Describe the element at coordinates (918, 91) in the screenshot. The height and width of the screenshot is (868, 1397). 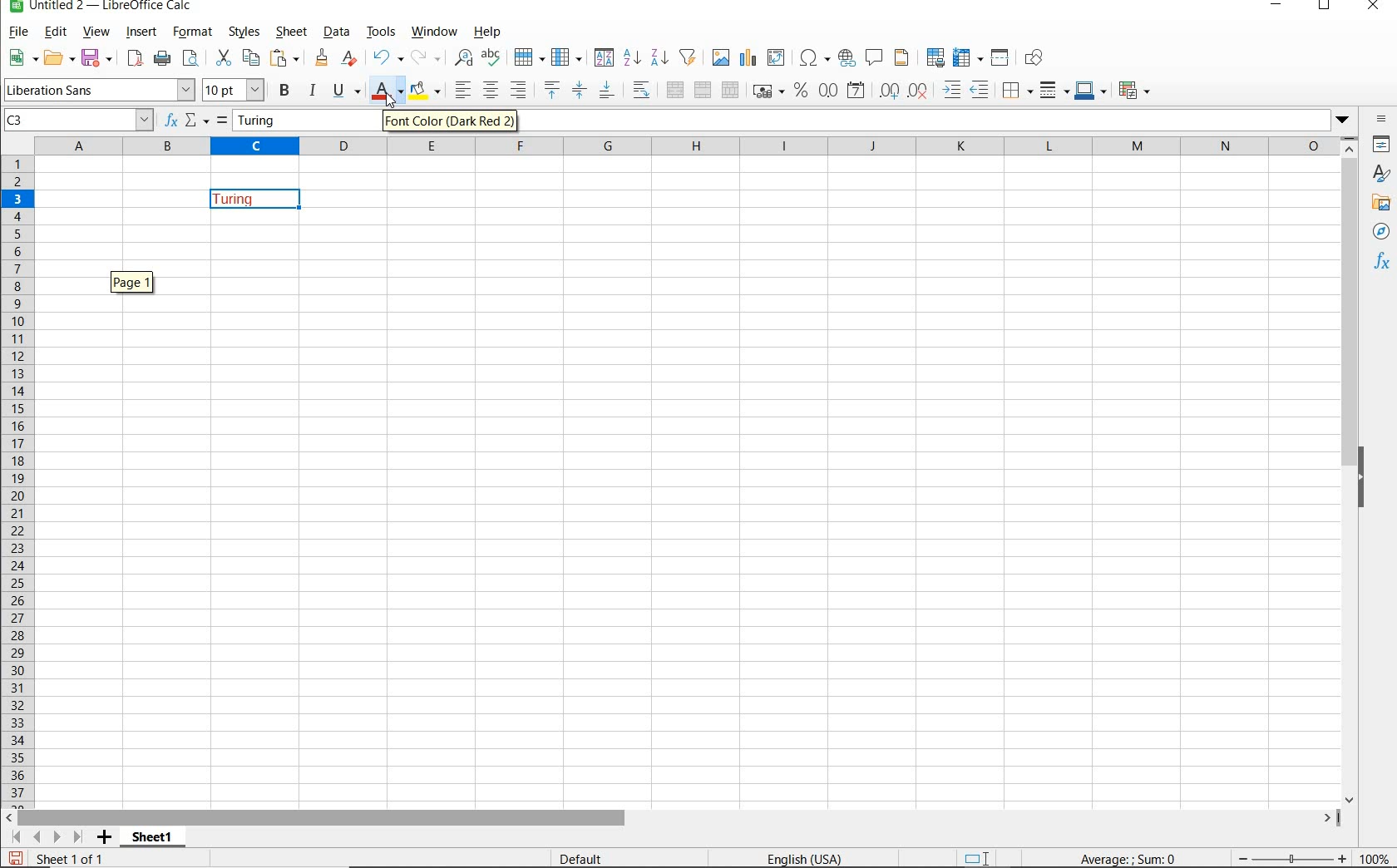
I see `DELETE DECIMAL PLACE` at that location.